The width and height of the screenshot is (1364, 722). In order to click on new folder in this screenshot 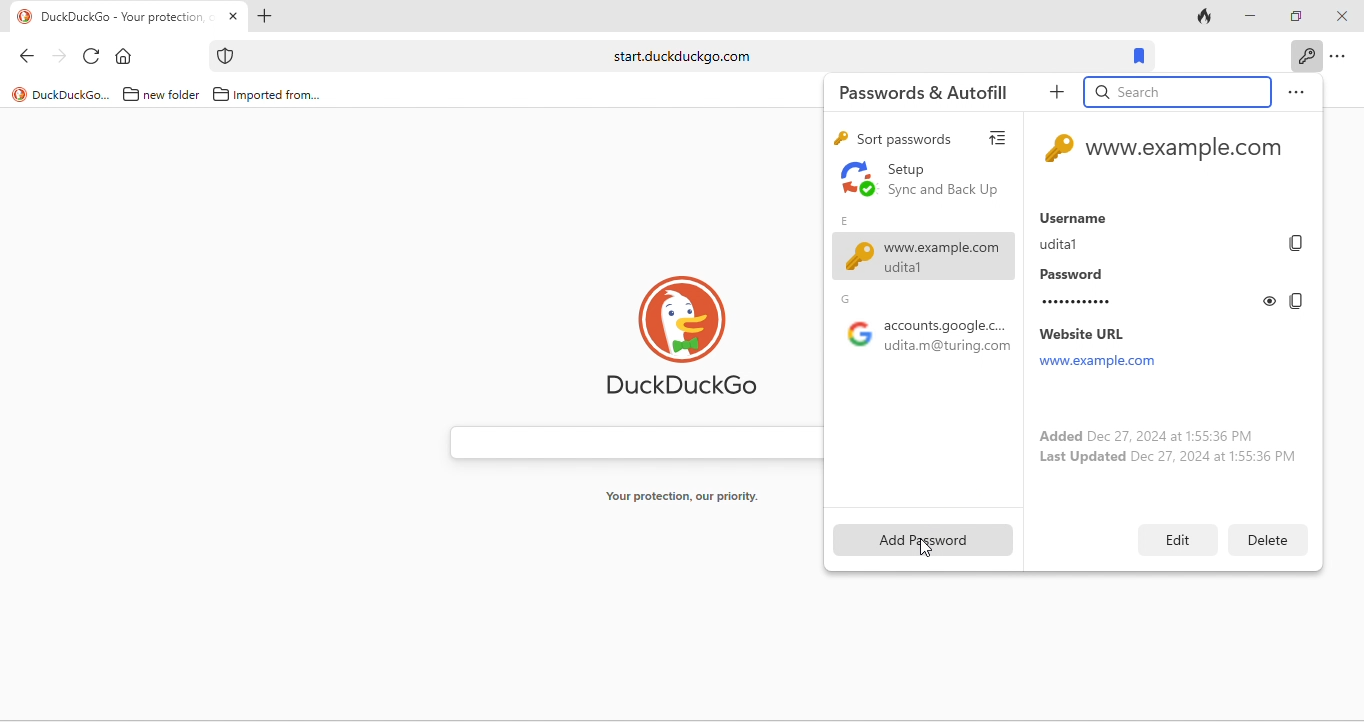, I will do `click(173, 96)`.